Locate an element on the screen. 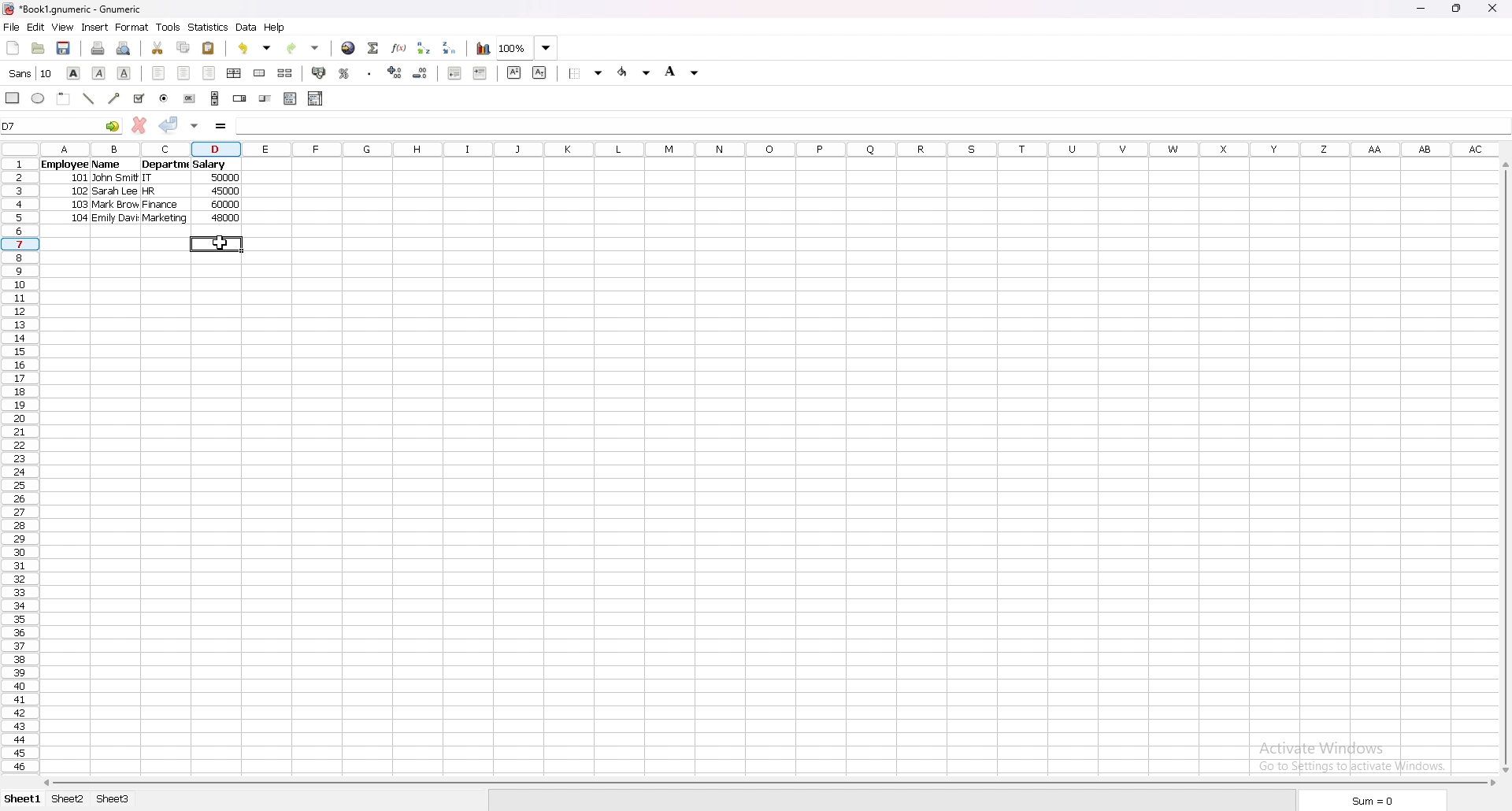 Image resolution: width=1512 pixels, height=811 pixels. bold is located at coordinates (73, 72).